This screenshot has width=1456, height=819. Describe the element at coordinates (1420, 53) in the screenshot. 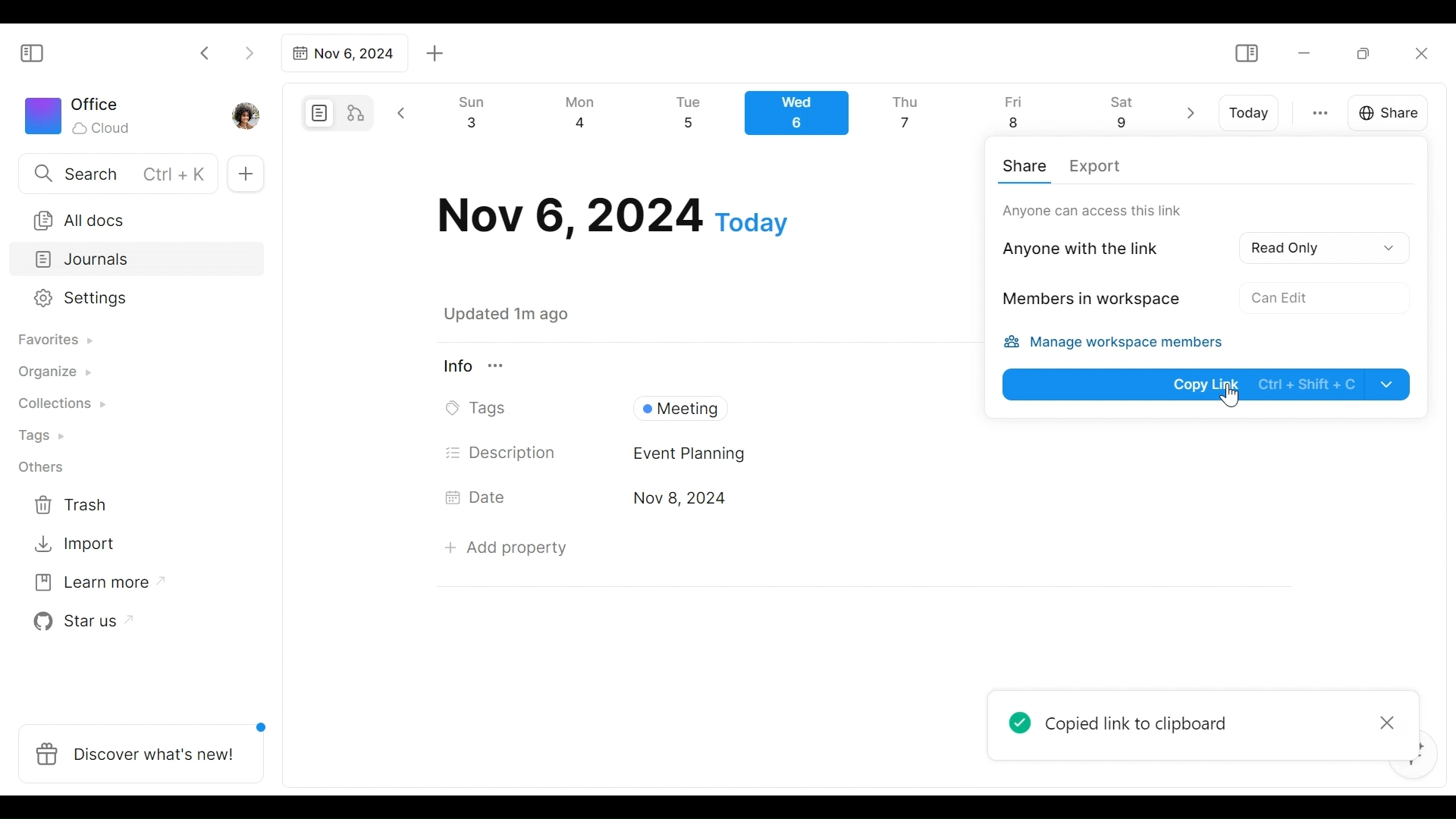

I see `Close` at that location.